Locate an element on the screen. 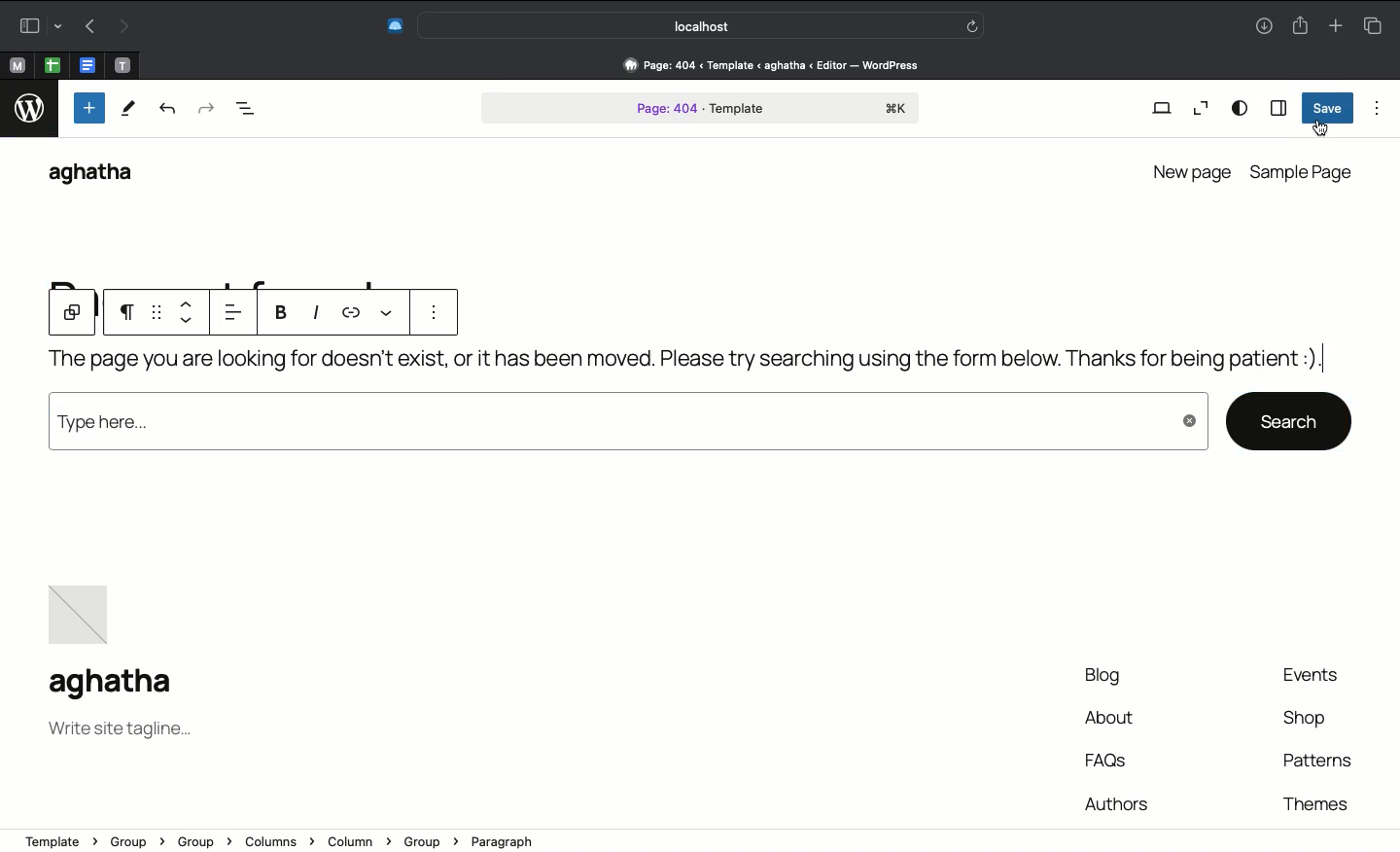 The image size is (1400, 852). View options is located at coordinates (1241, 109).